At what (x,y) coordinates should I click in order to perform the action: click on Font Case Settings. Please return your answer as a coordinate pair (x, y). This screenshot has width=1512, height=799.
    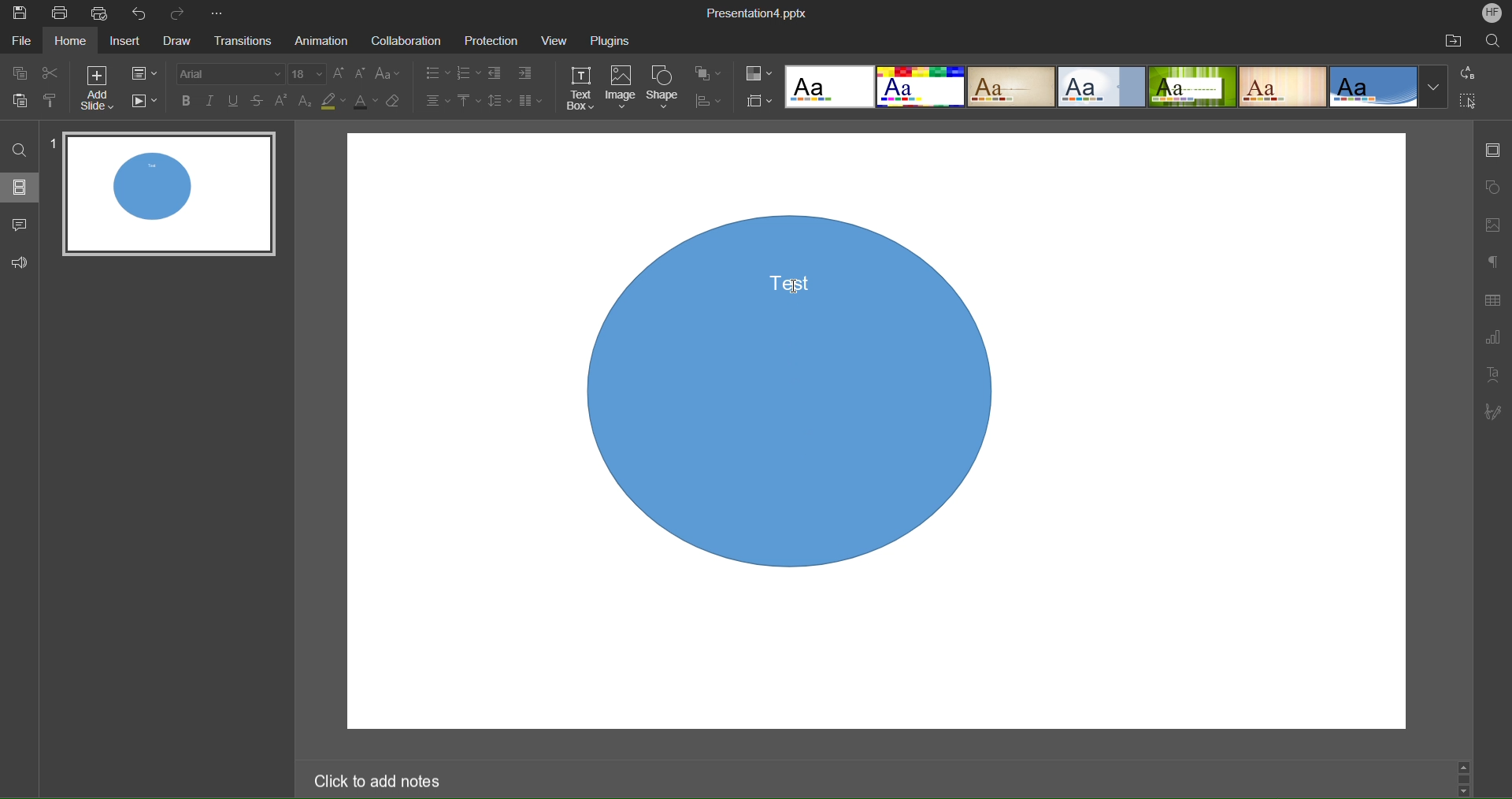
    Looking at the image, I should click on (391, 75).